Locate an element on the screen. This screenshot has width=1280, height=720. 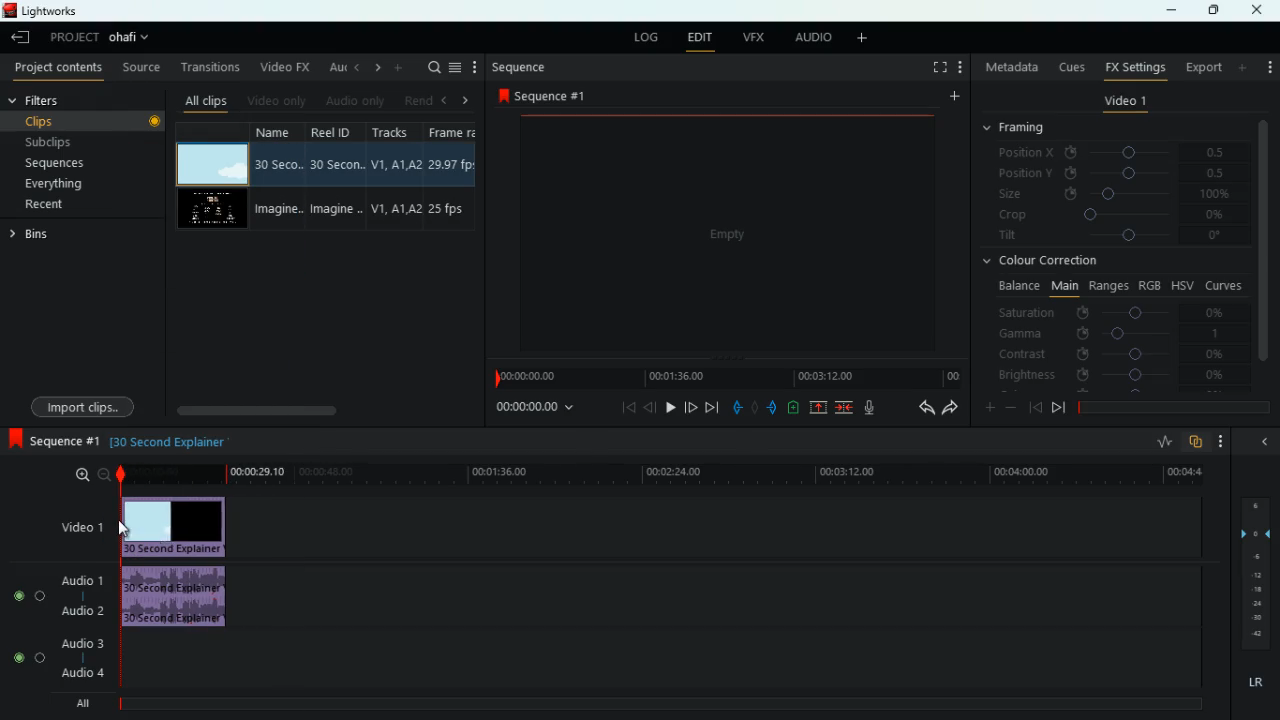
beggining is located at coordinates (622, 409).